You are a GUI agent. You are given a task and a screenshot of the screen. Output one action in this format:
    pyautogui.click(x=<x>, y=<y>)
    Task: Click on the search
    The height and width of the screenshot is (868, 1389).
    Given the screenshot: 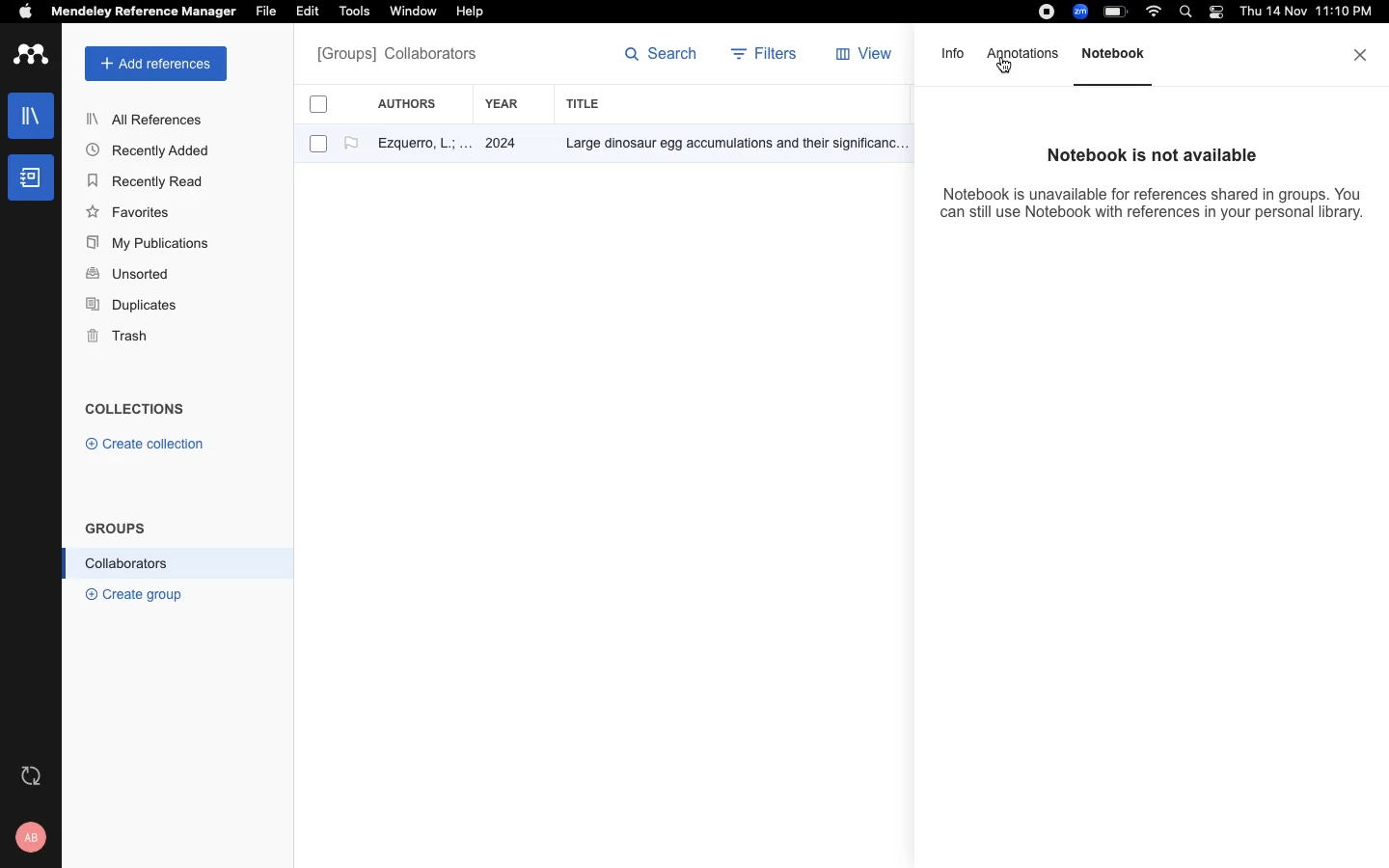 What is the action you would take?
    pyautogui.click(x=662, y=58)
    